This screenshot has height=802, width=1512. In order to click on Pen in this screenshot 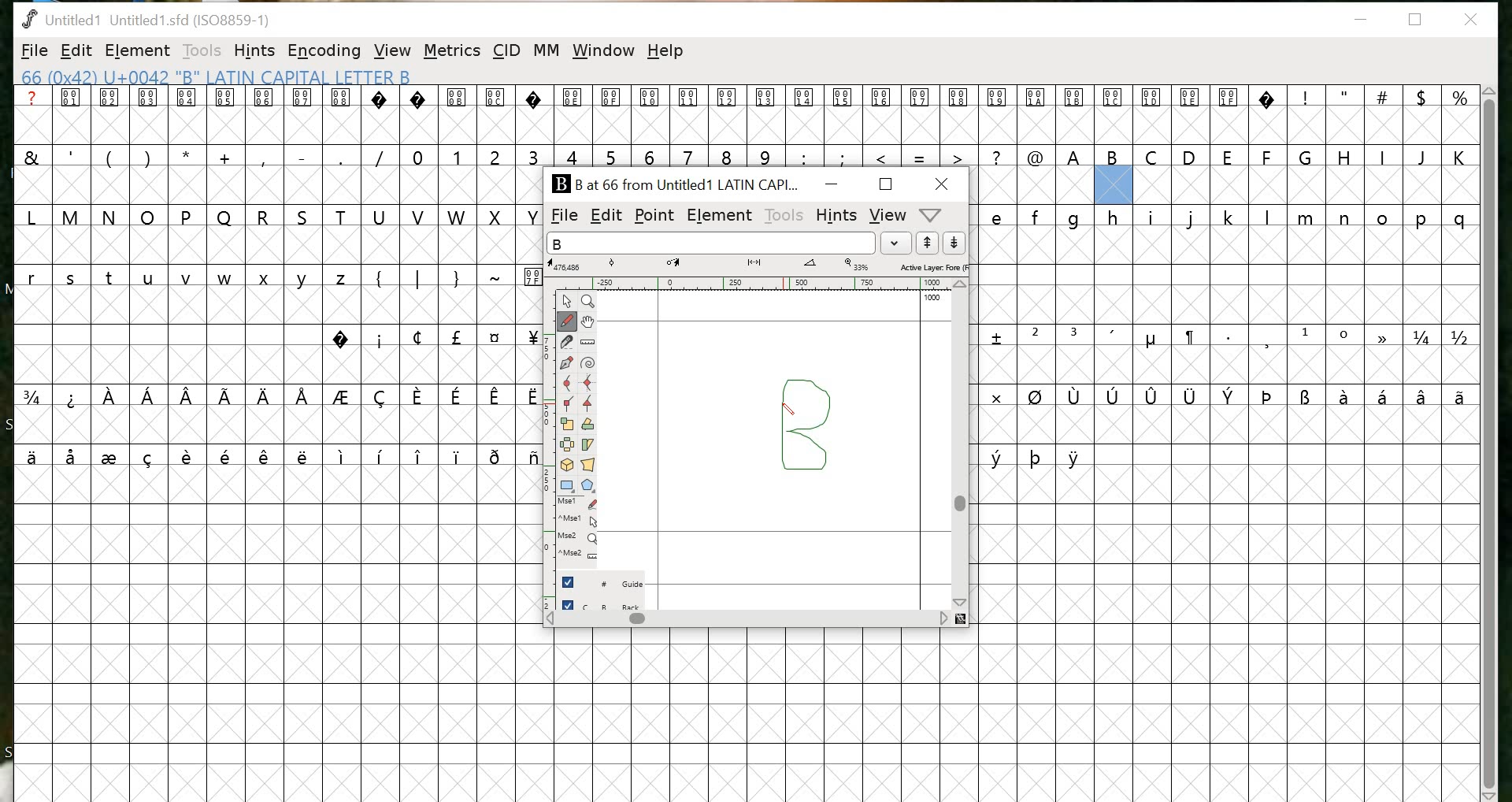, I will do `click(568, 365)`.